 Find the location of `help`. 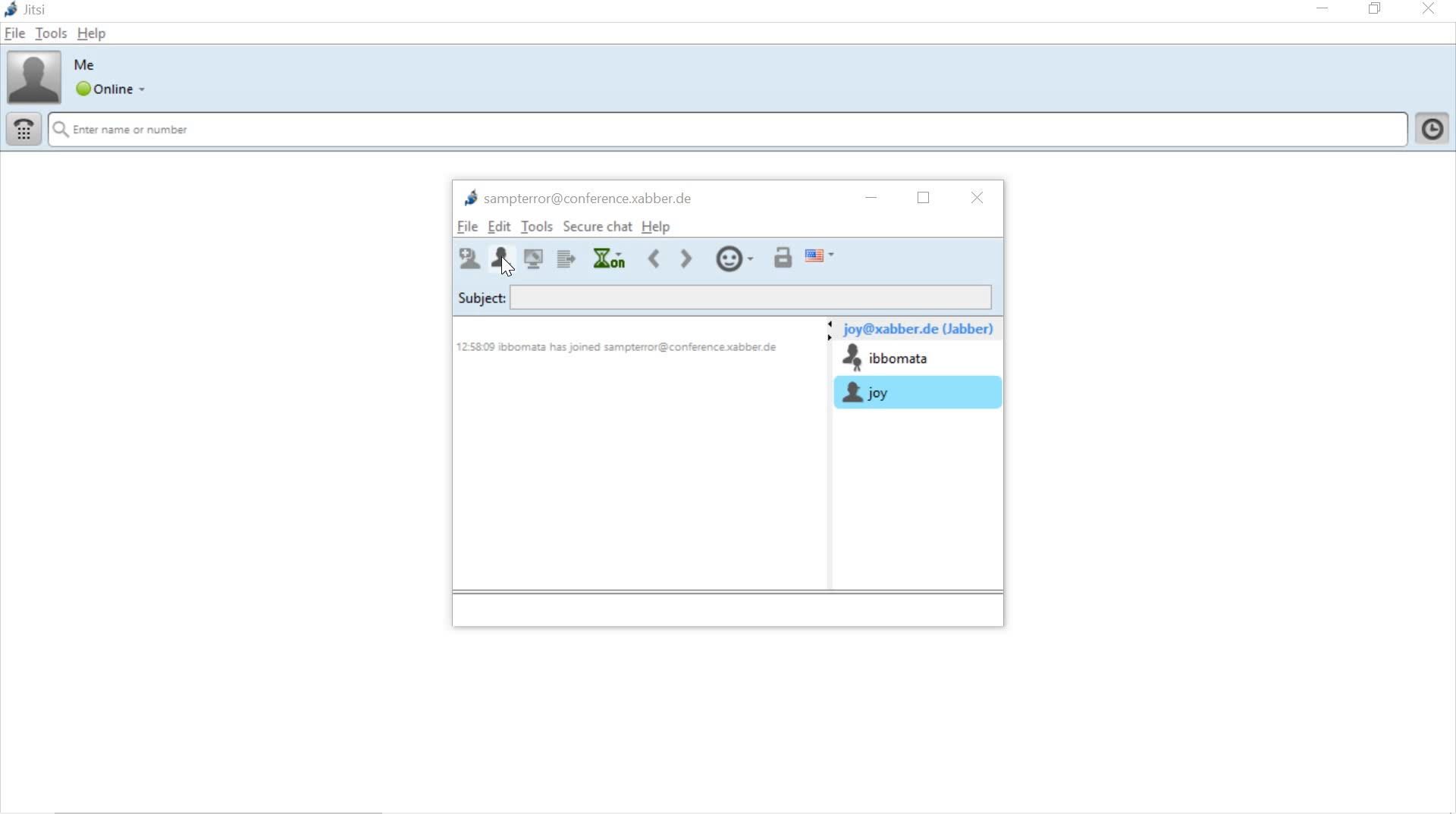

help is located at coordinates (94, 33).